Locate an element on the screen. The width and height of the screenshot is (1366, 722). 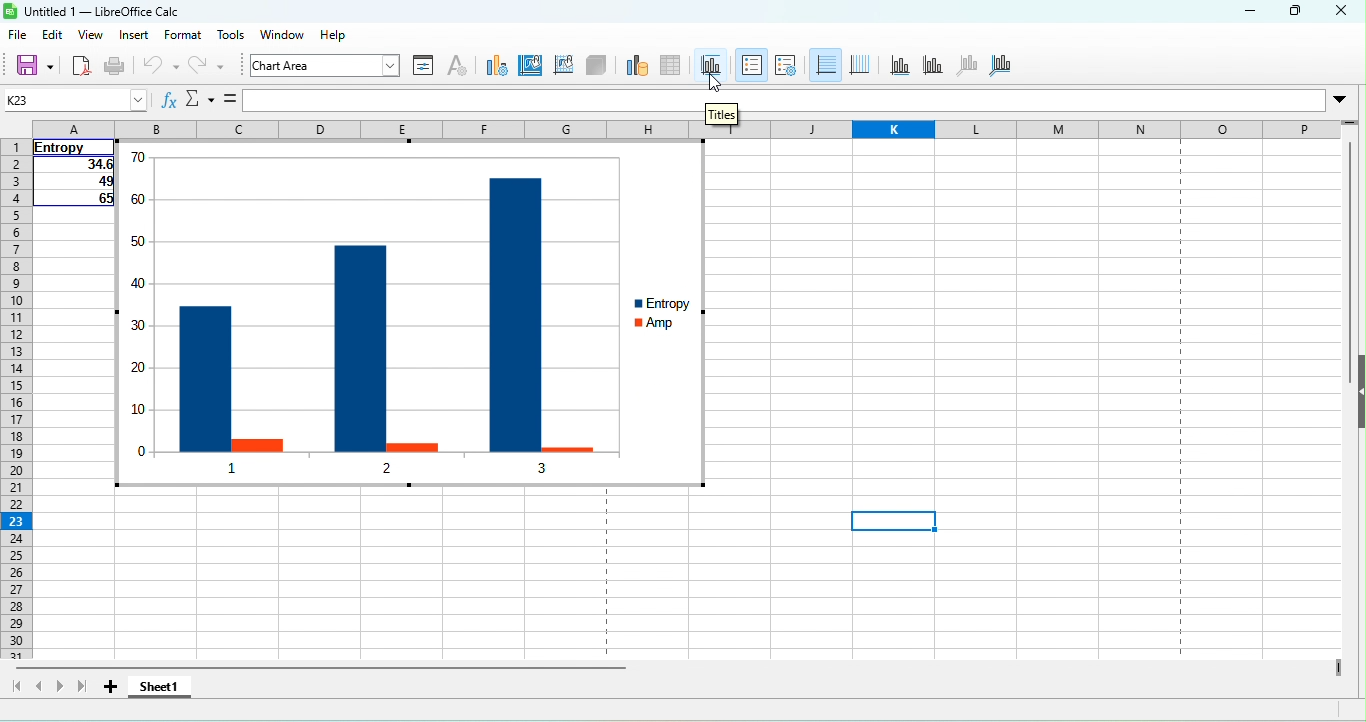
tool is located at coordinates (231, 37).